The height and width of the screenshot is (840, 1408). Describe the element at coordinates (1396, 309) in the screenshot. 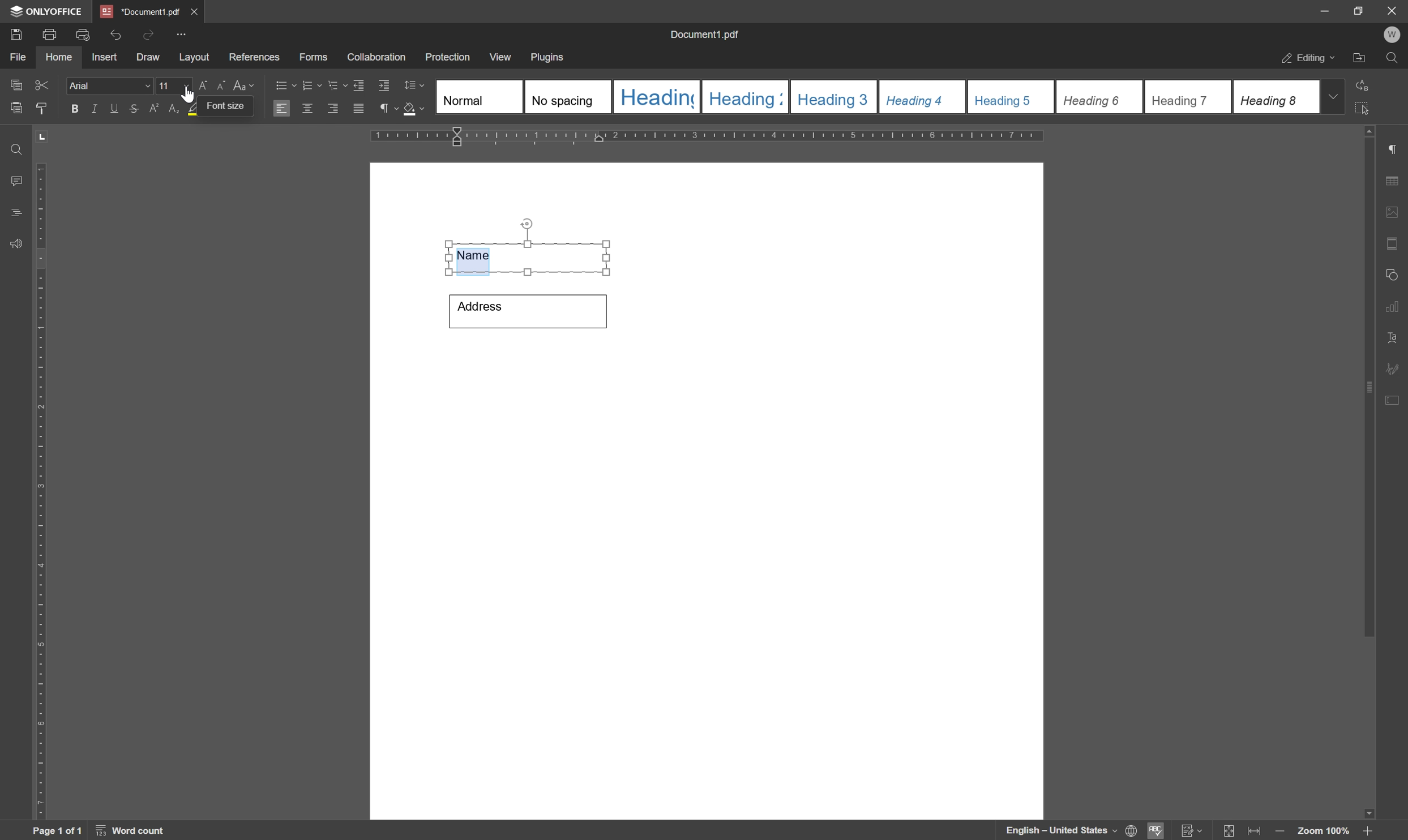

I see `chart settings` at that location.